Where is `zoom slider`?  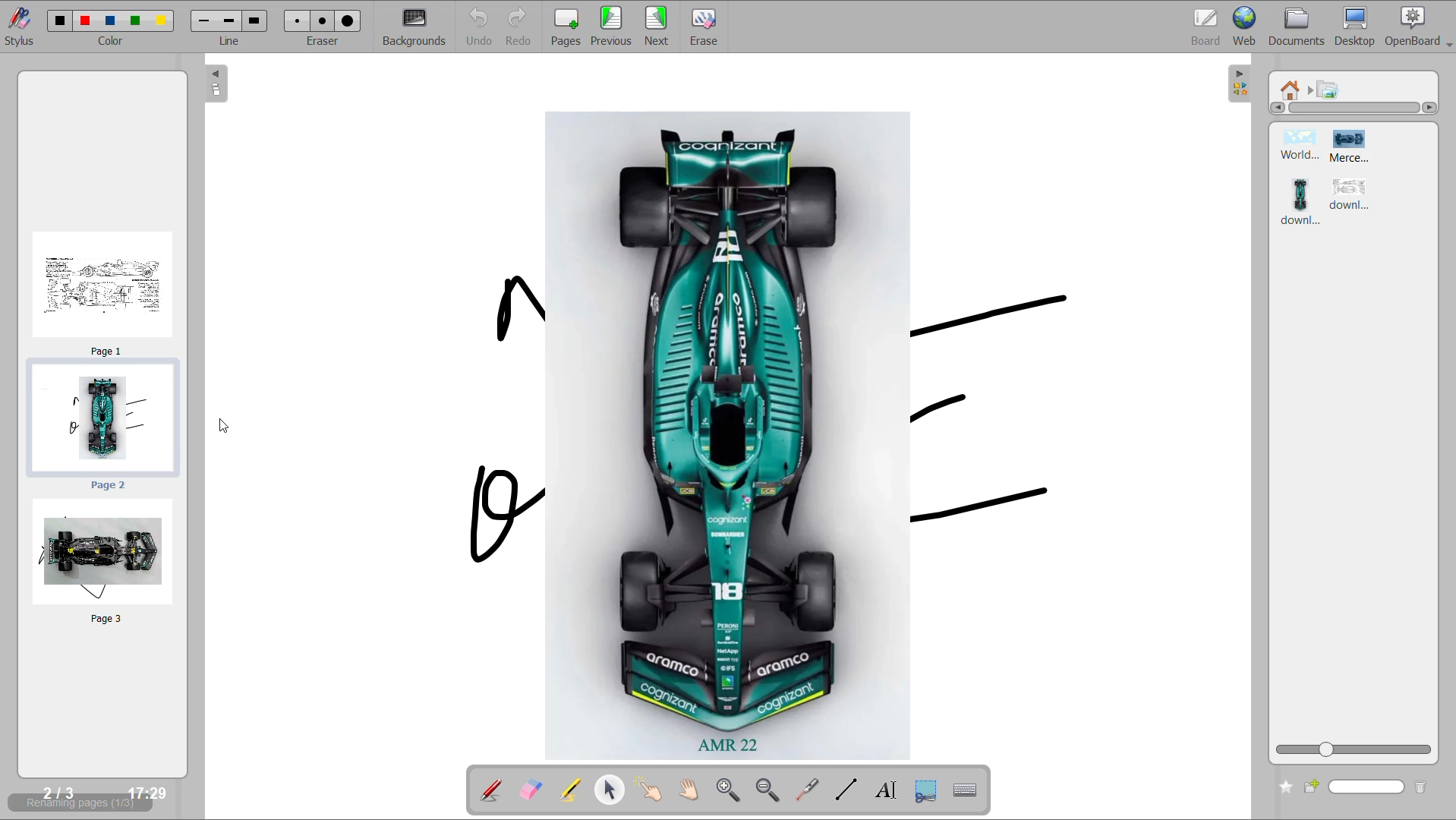
zoom slider is located at coordinates (1353, 748).